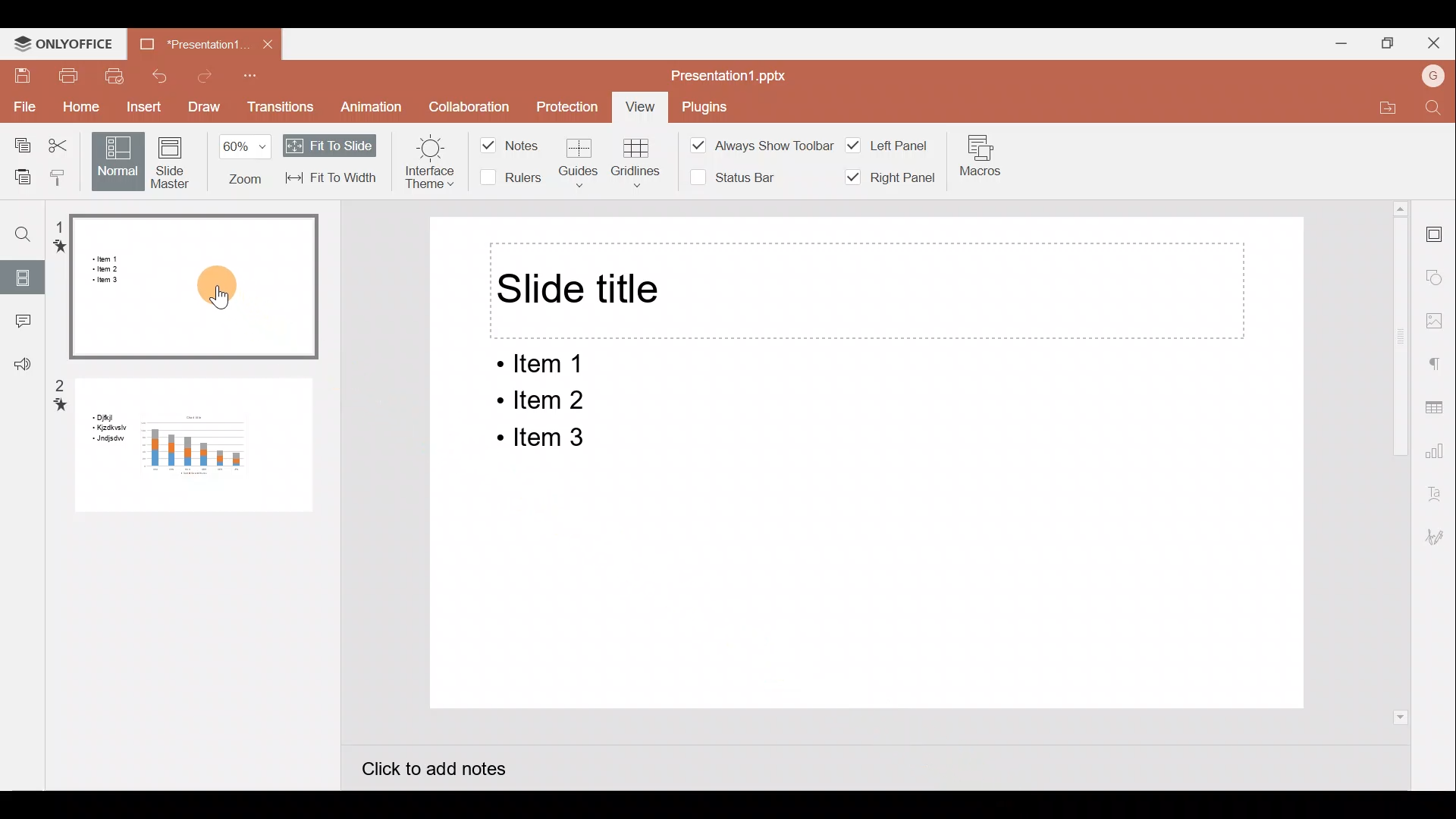 Image resolution: width=1456 pixels, height=819 pixels. Describe the element at coordinates (268, 45) in the screenshot. I see `Close document` at that location.